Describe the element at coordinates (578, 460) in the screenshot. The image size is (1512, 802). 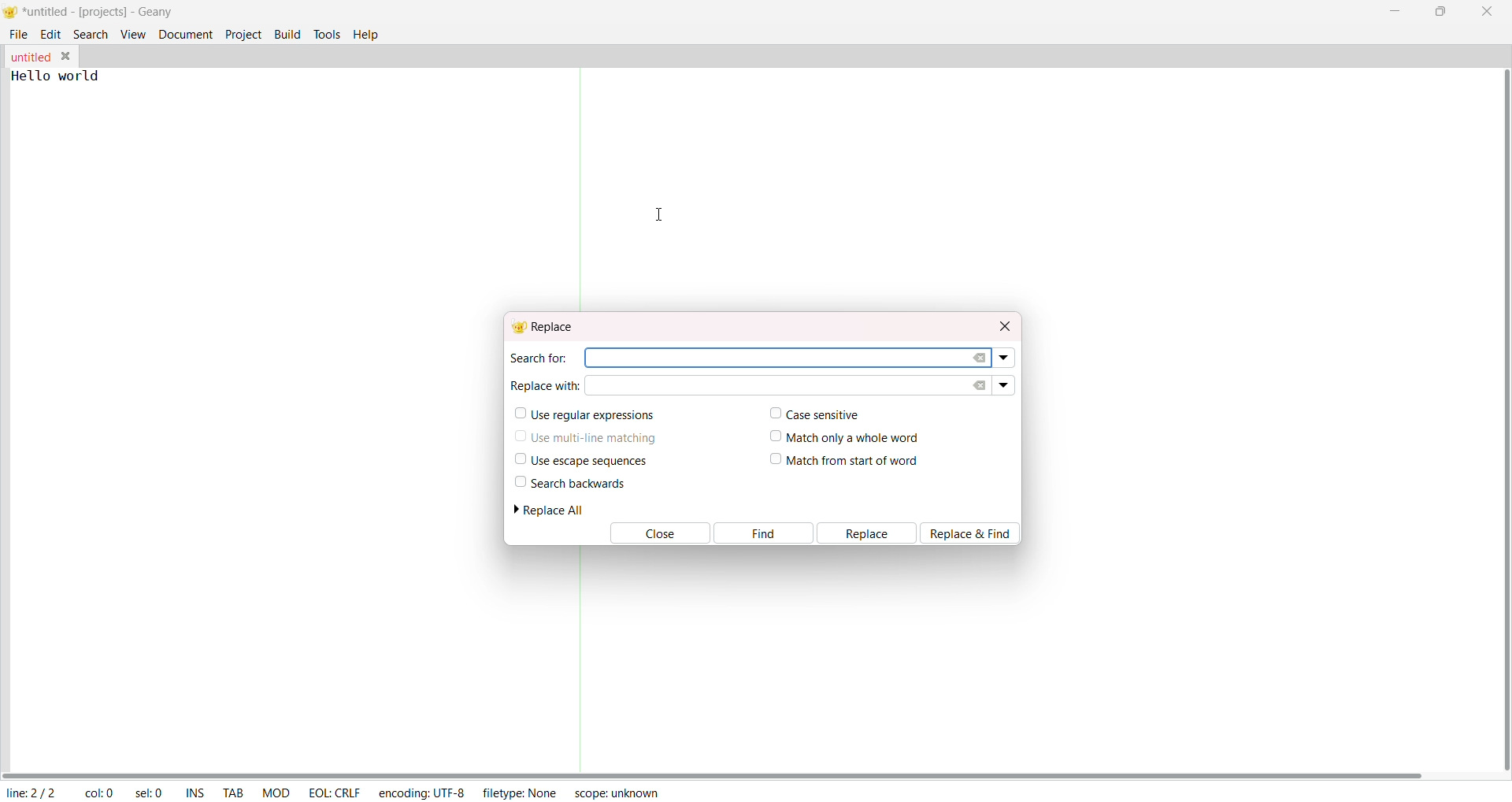
I see `use escape sequences` at that location.